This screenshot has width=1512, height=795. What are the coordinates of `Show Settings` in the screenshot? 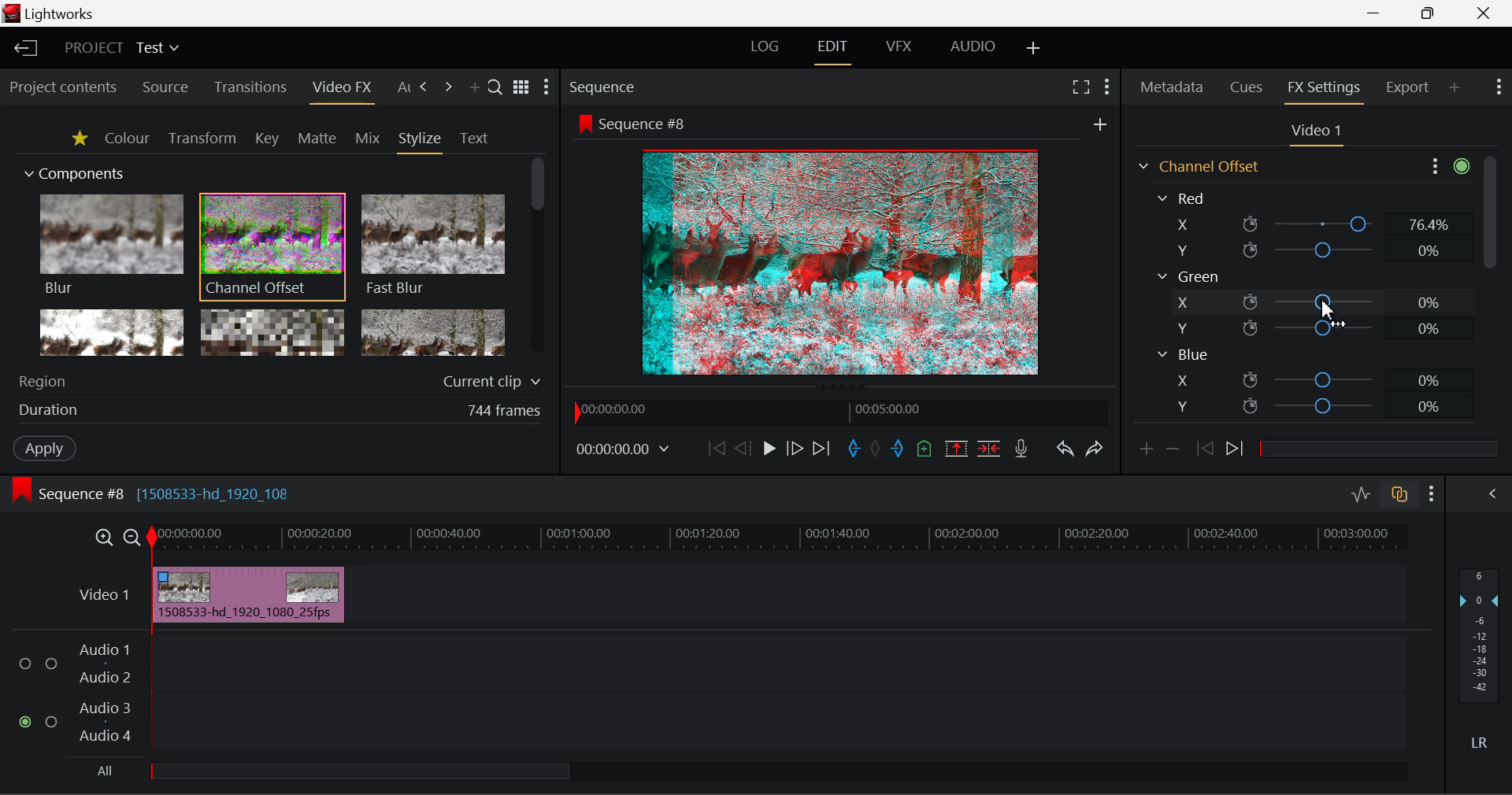 It's located at (1447, 167).